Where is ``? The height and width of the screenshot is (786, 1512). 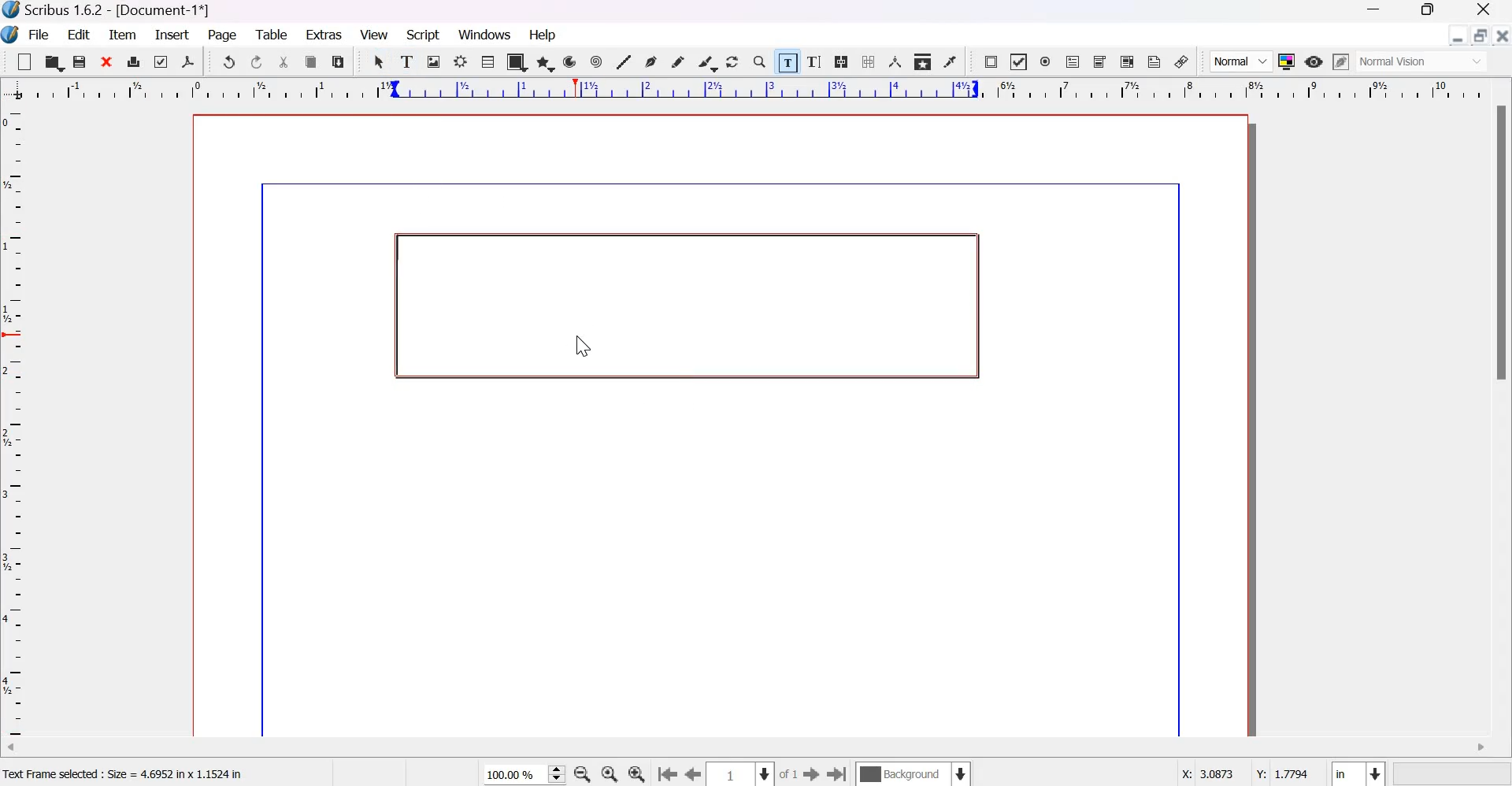  is located at coordinates (271, 35).